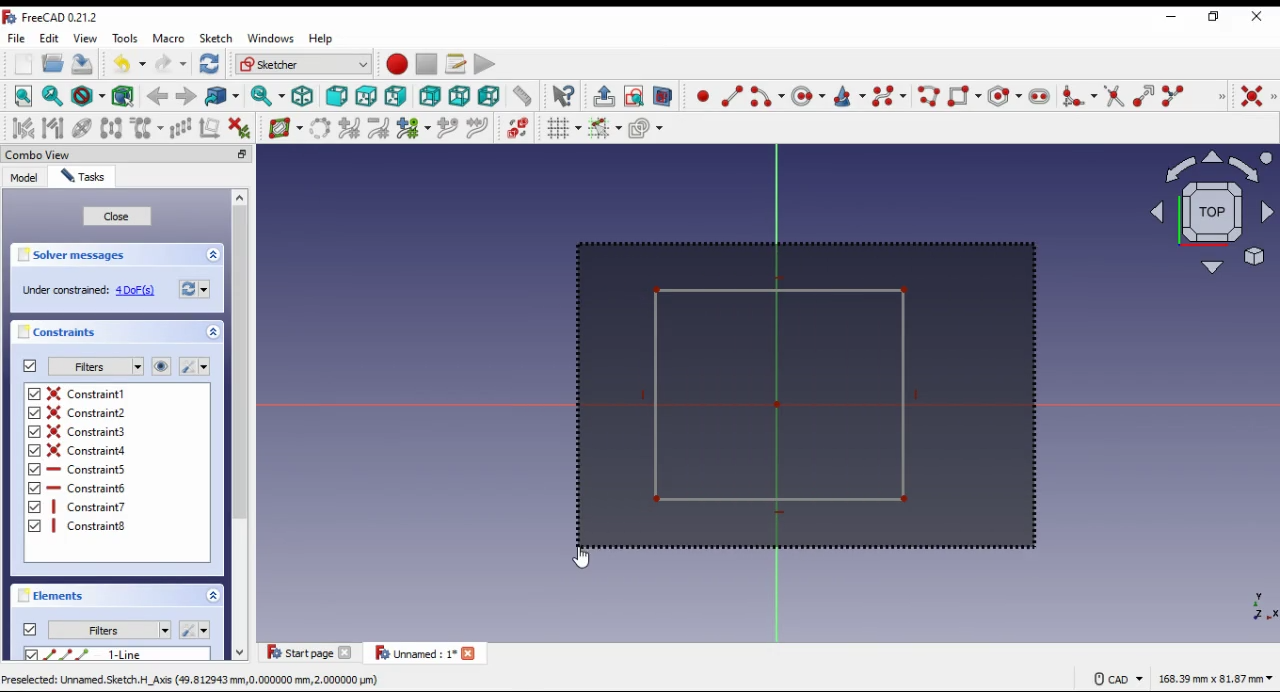 The width and height of the screenshot is (1280, 692). What do you see at coordinates (517, 128) in the screenshot?
I see `switch virtual space` at bounding box center [517, 128].